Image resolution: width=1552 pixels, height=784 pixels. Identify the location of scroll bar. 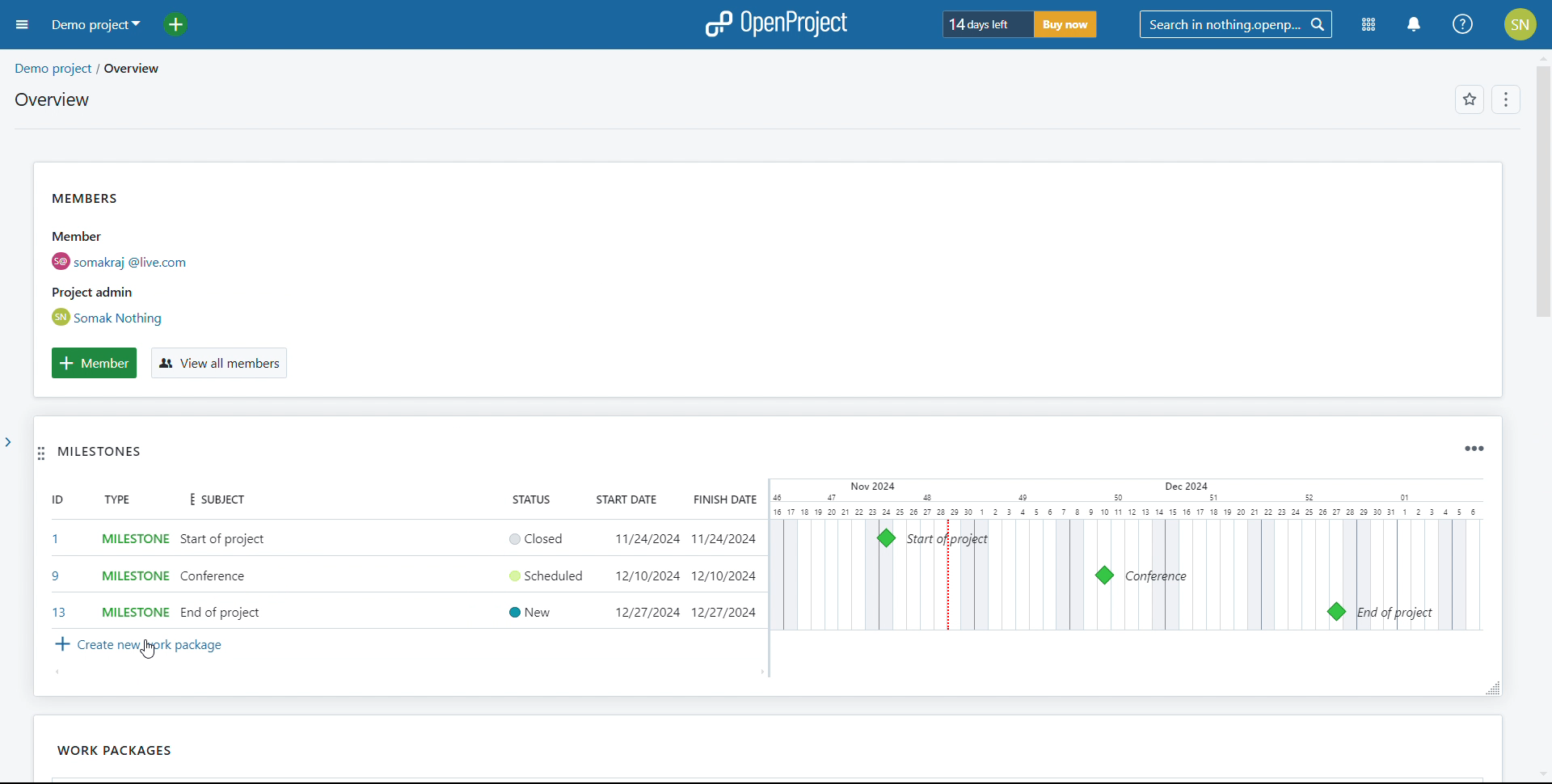
(1540, 213).